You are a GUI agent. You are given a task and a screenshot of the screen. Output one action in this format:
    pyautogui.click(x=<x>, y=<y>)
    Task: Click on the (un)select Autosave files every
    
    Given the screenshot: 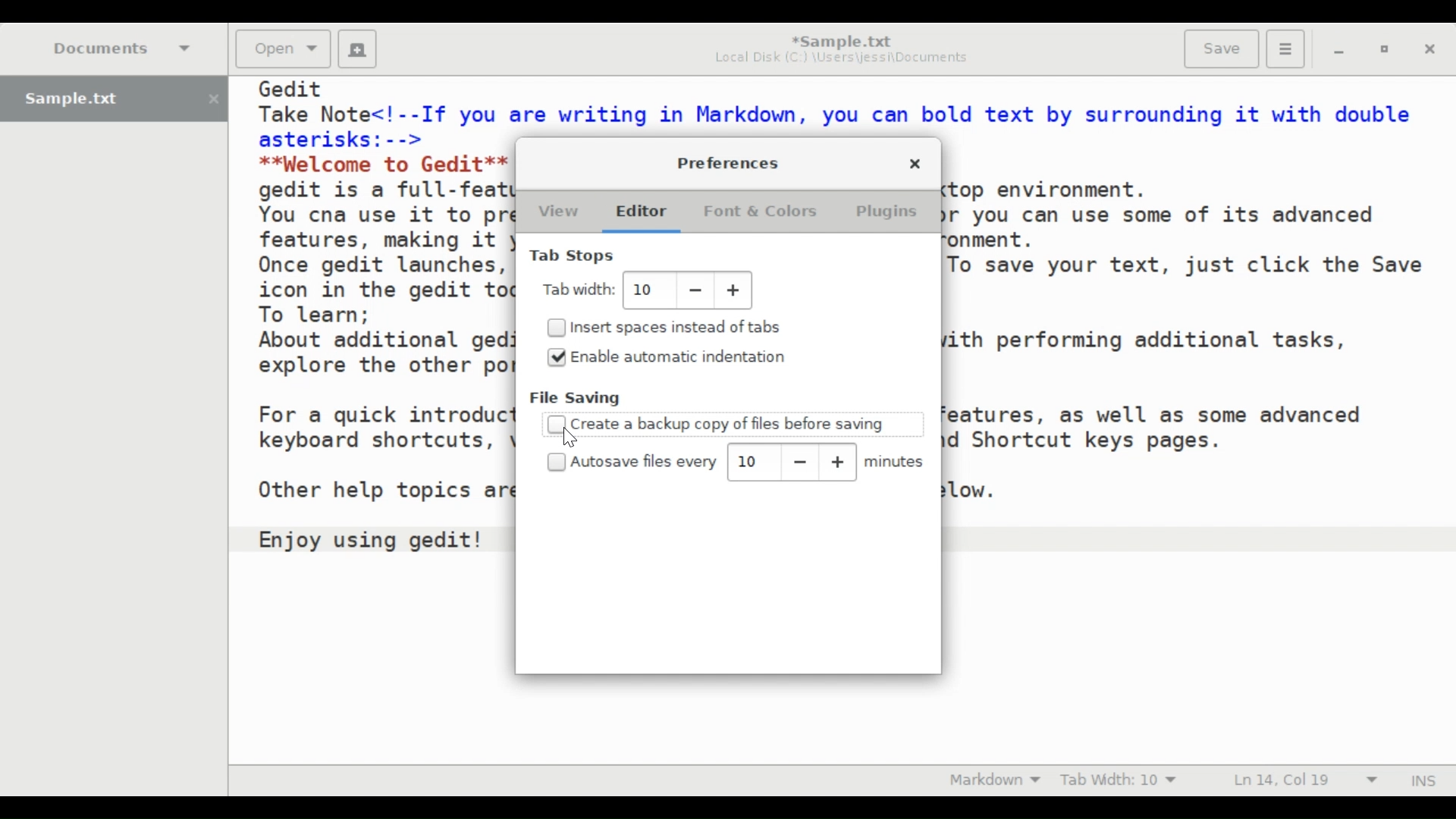 What is the action you would take?
    pyautogui.click(x=635, y=462)
    